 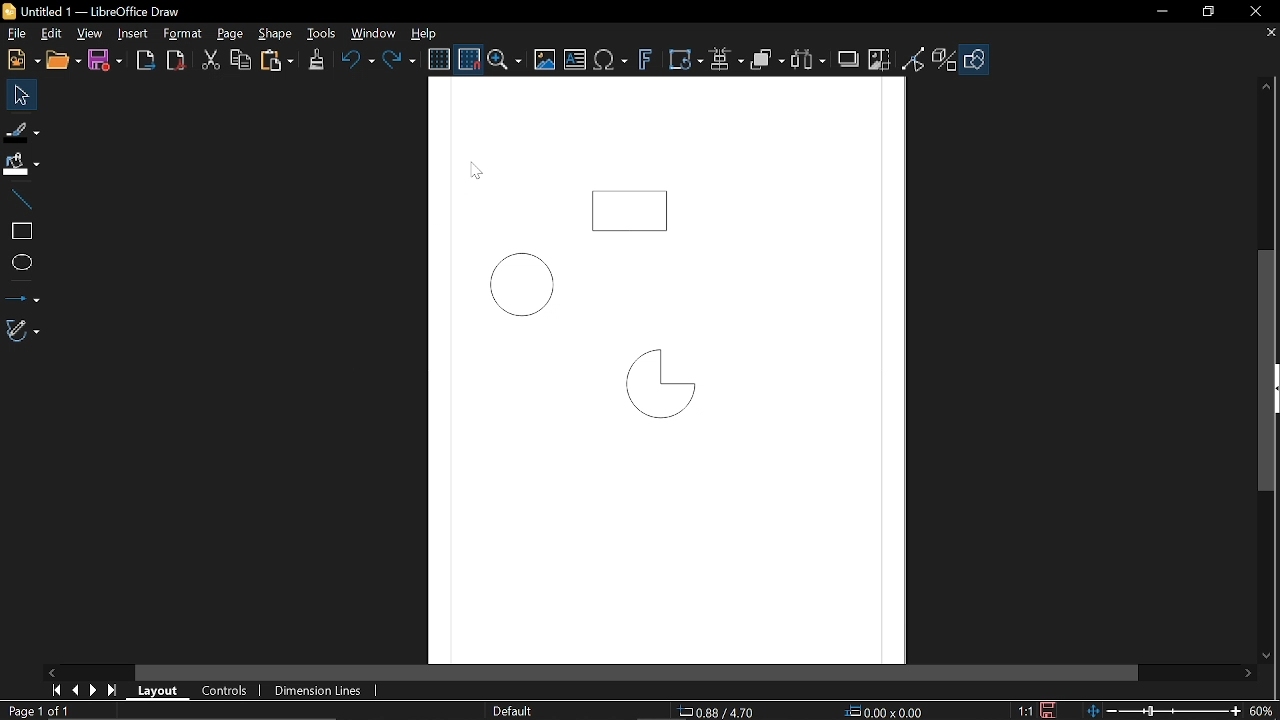 I want to click on Fill Line , so click(x=22, y=131).